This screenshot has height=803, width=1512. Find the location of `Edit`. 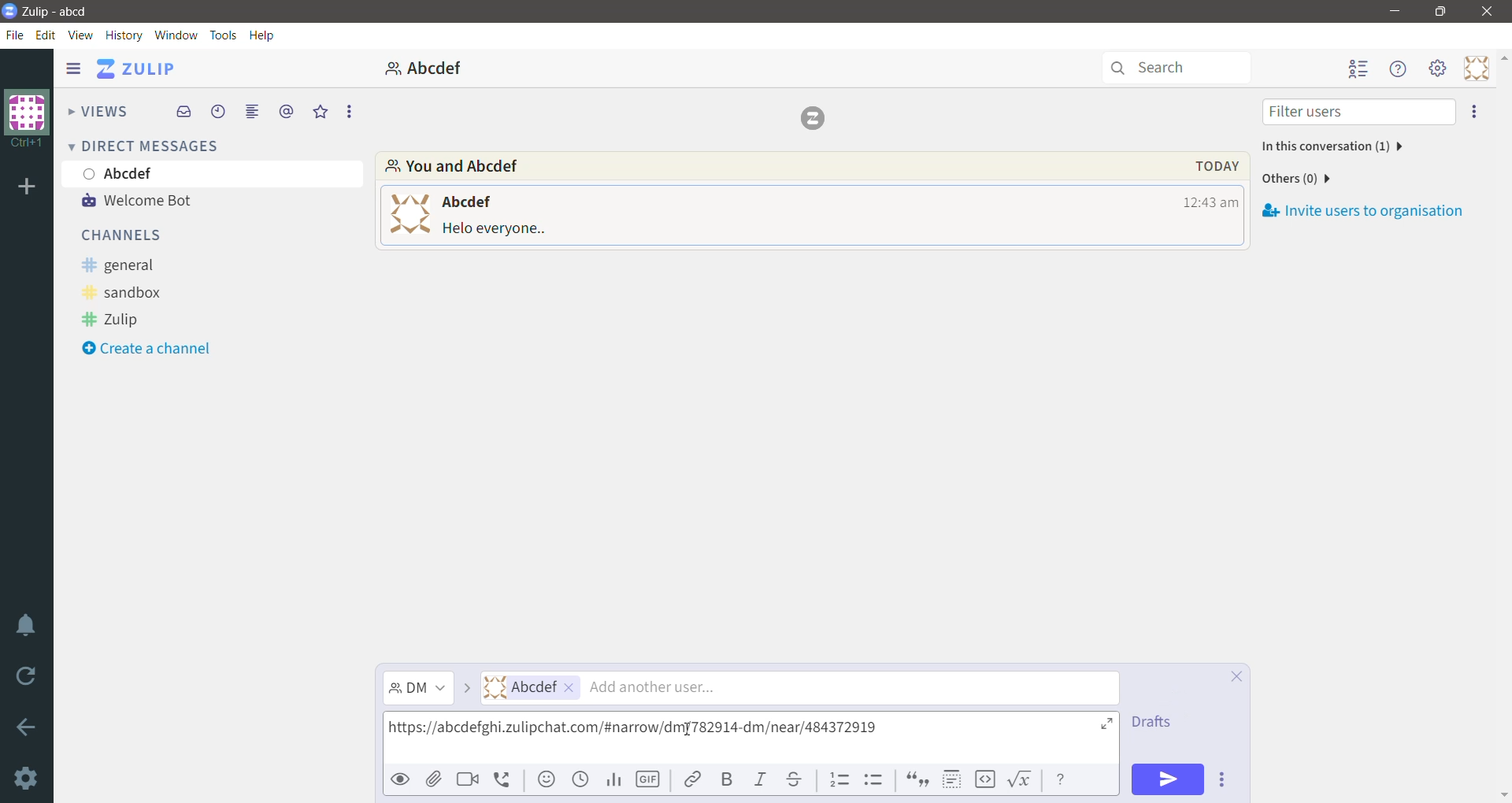

Edit is located at coordinates (48, 35).